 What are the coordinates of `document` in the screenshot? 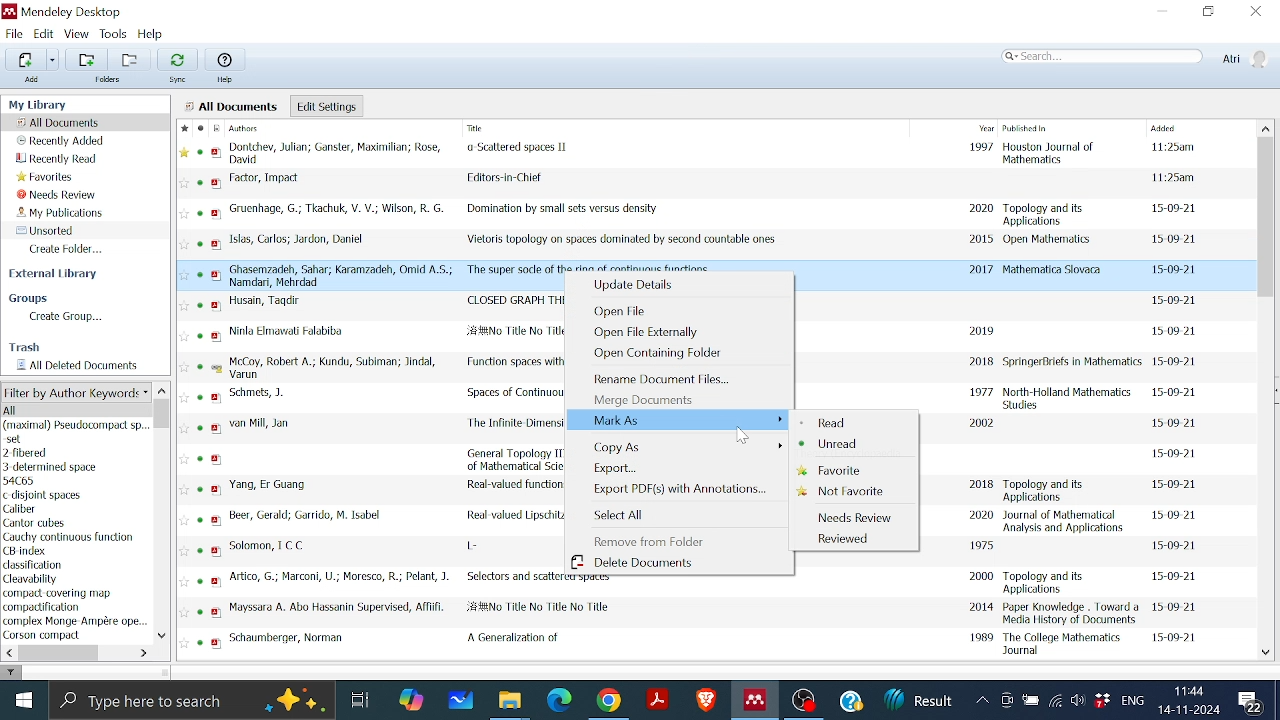 It's located at (1165, 304).